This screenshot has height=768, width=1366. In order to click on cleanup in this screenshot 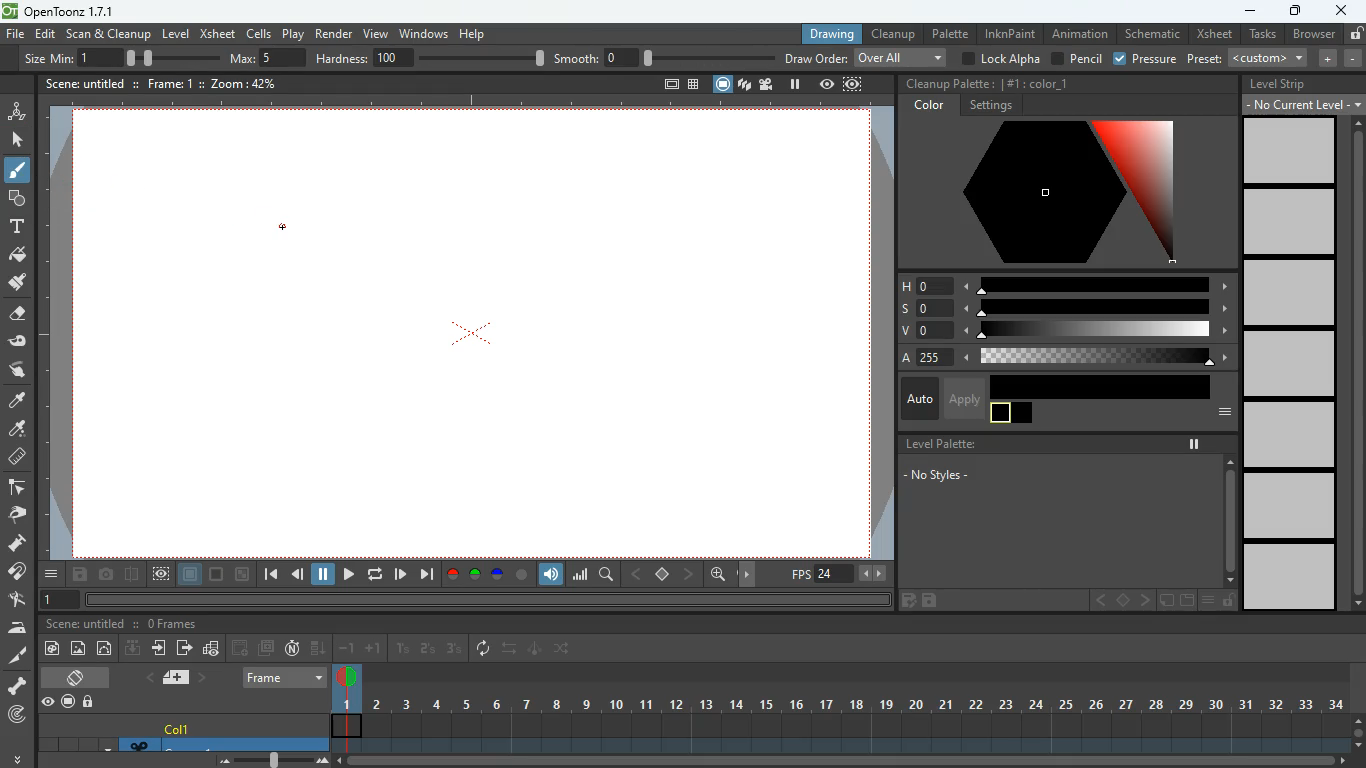, I will do `click(894, 33)`.